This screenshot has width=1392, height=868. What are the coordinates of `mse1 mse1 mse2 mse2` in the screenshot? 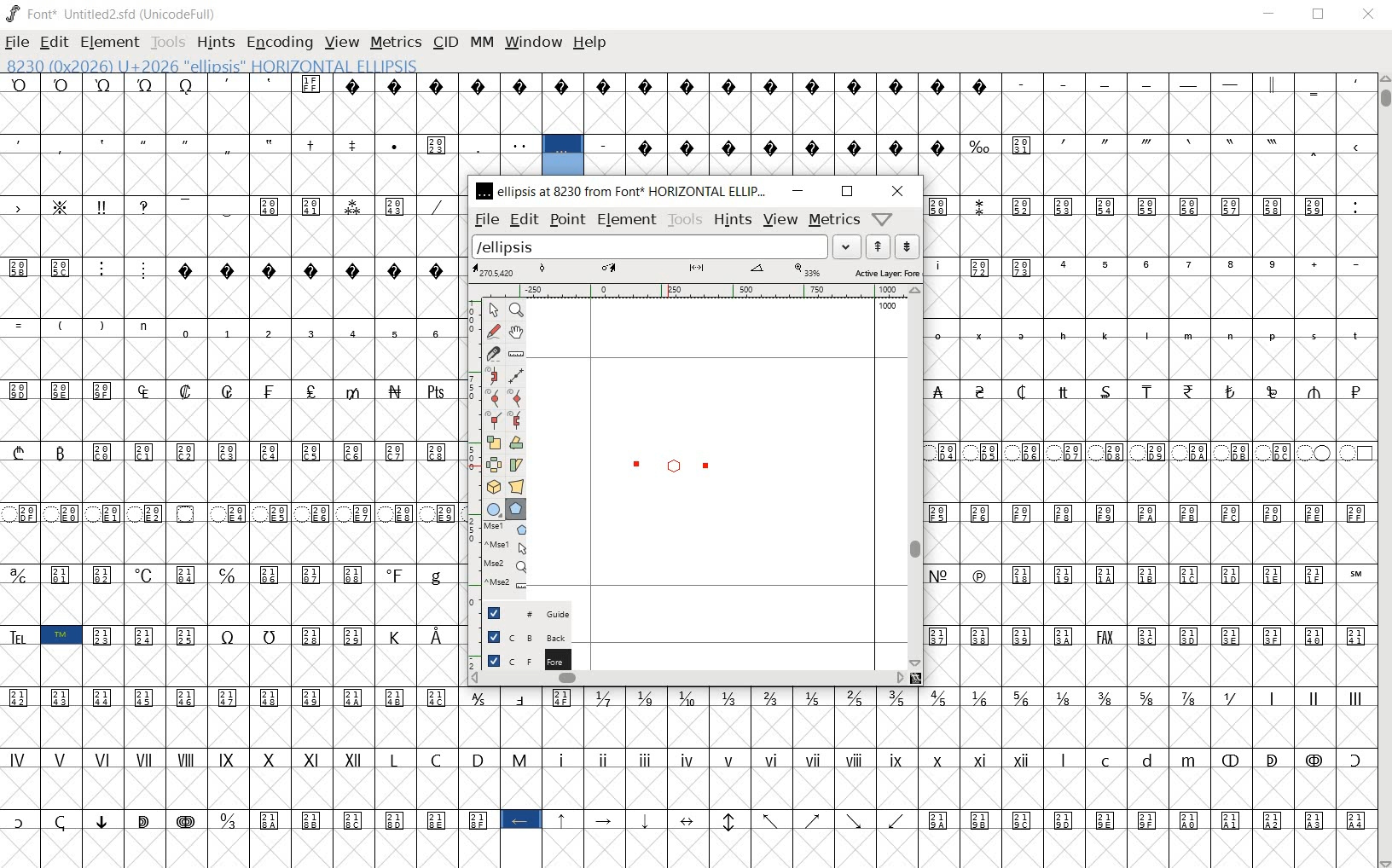 It's located at (500, 557).